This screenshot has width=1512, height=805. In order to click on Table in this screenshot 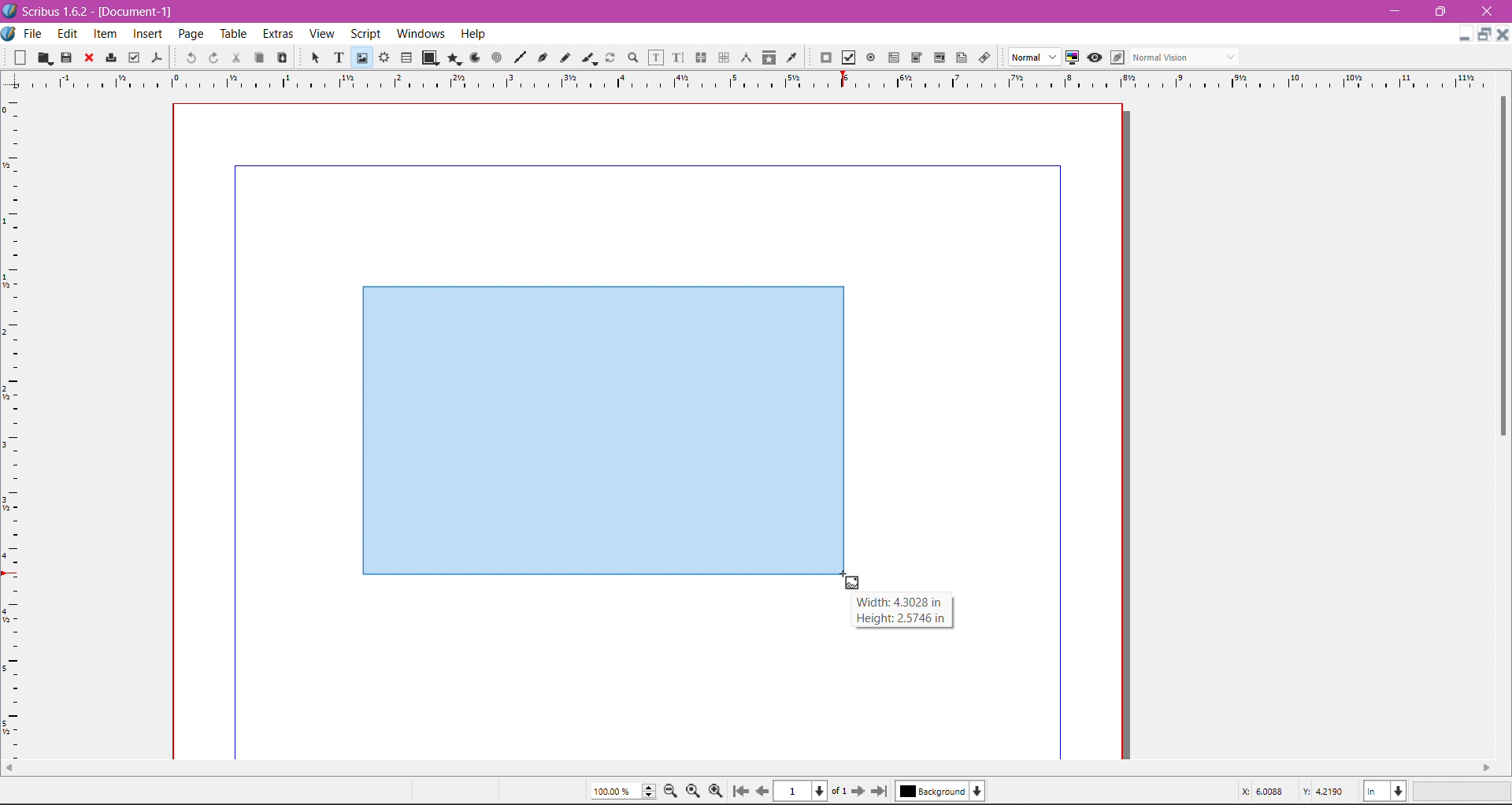, I will do `click(406, 57)`.